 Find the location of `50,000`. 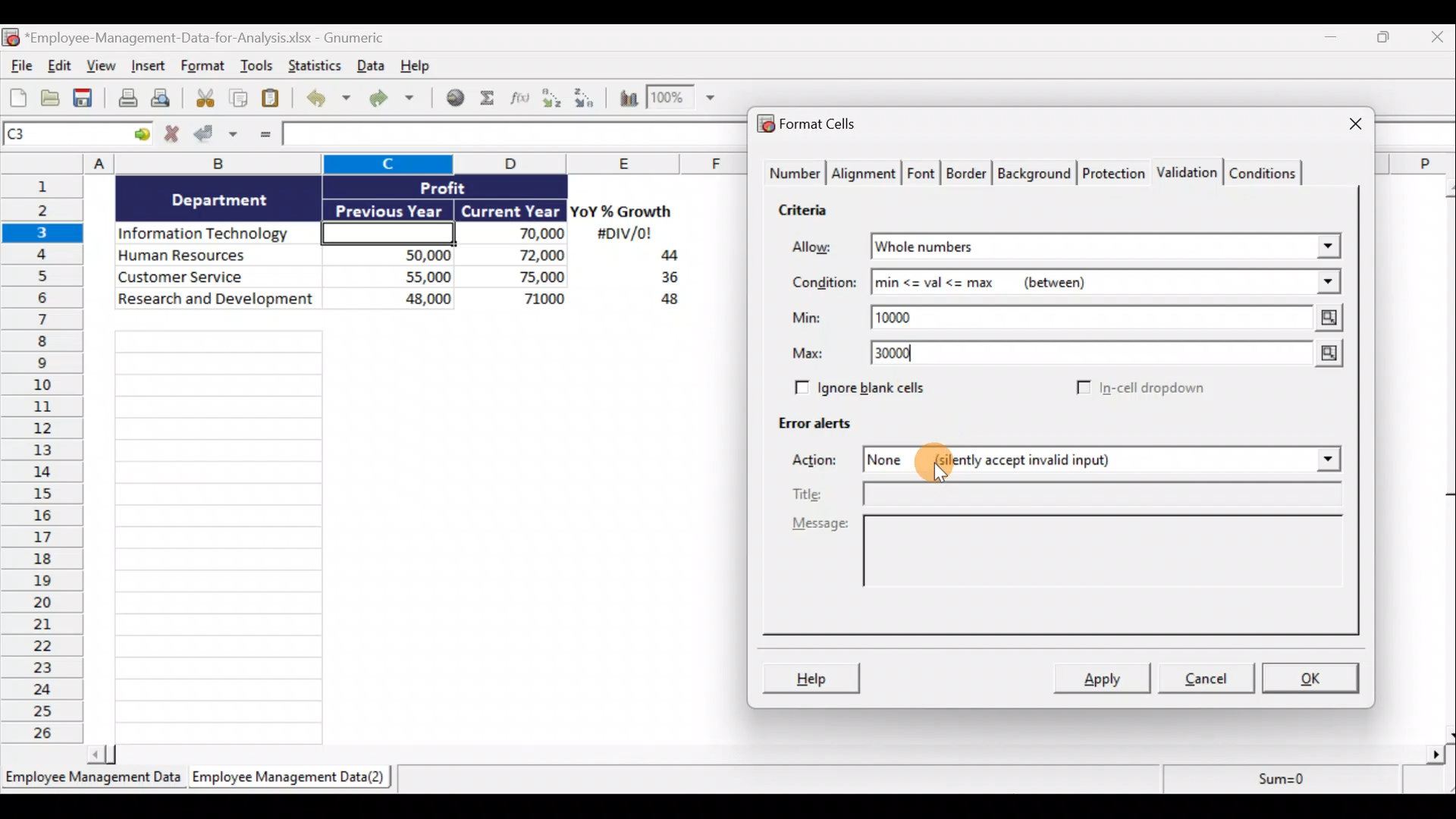

50,000 is located at coordinates (397, 254).